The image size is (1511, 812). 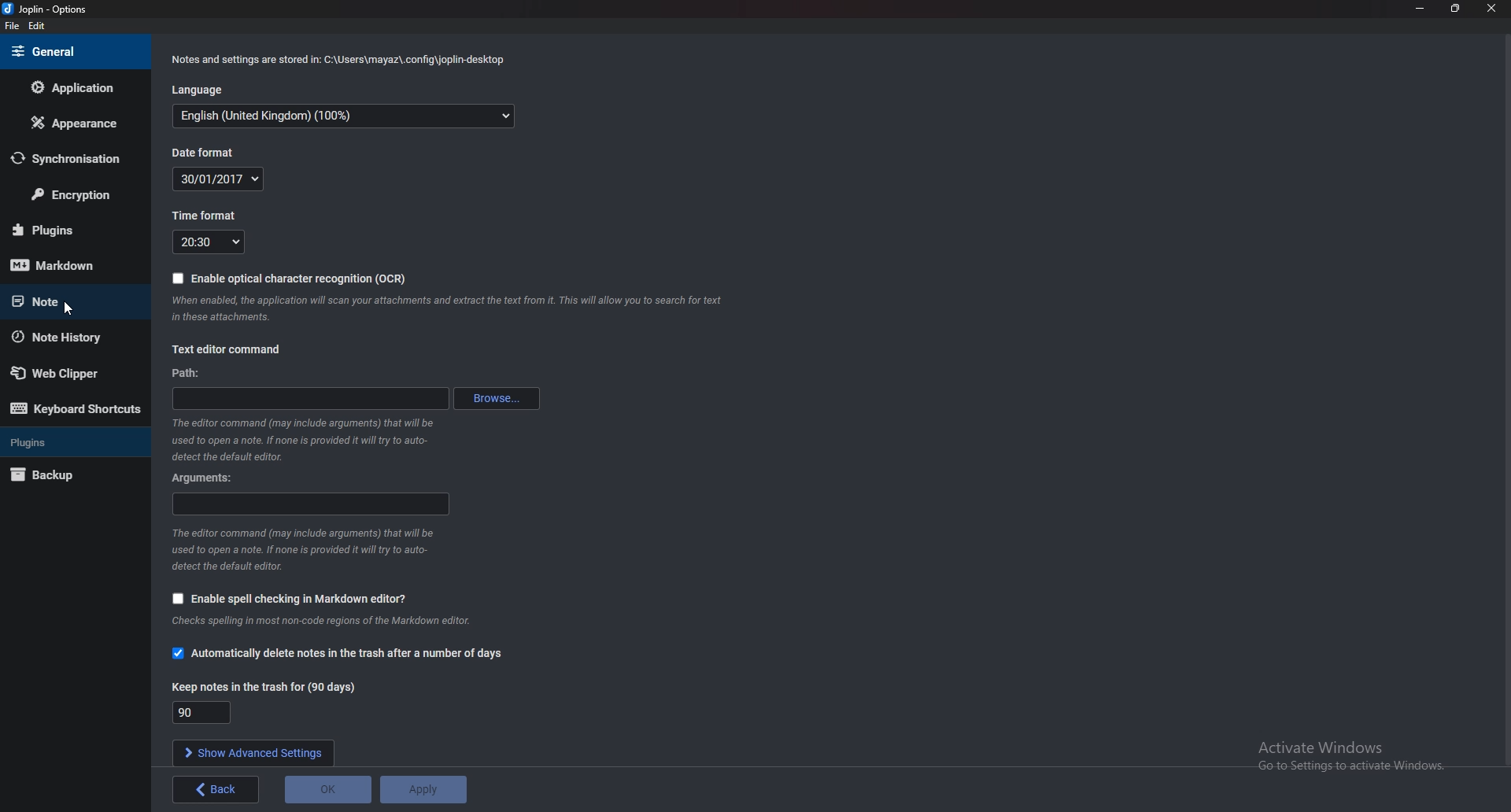 I want to click on Note history, so click(x=63, y=338).